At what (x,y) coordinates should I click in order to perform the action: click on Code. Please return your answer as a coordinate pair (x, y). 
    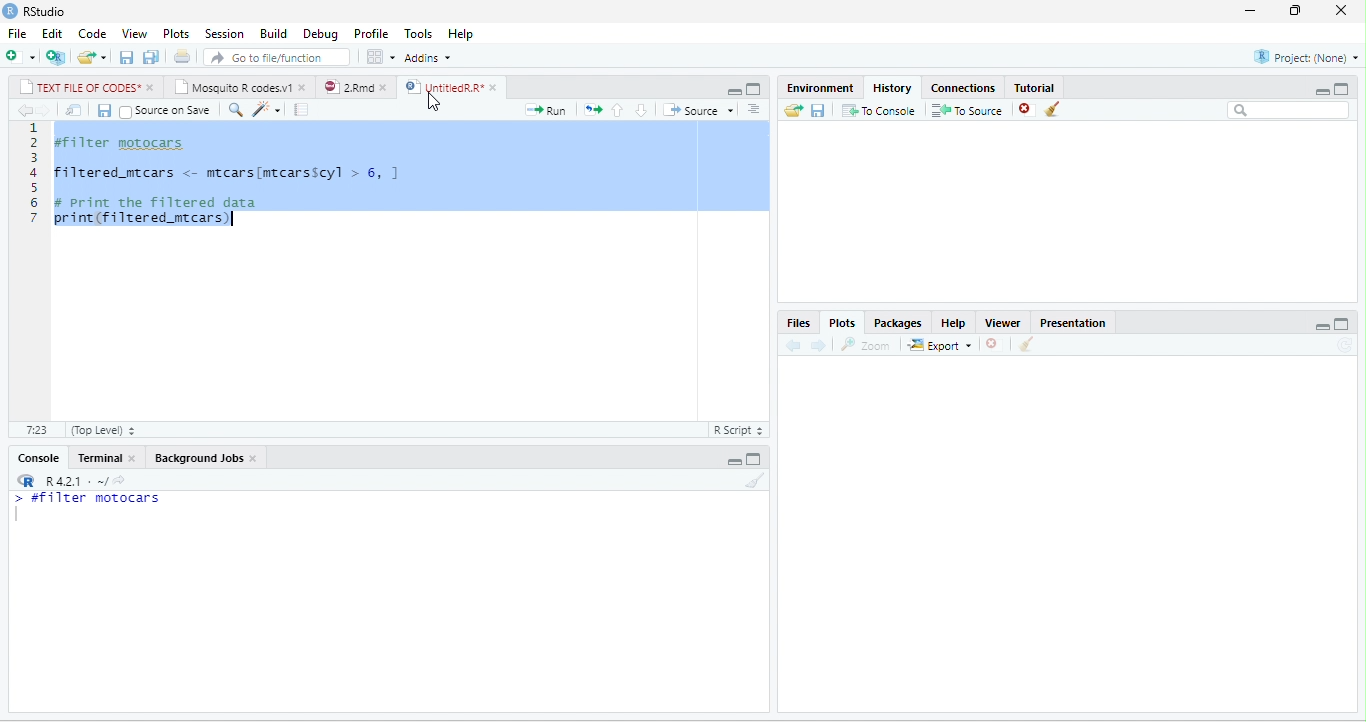
    Looking at the image, I should click on (93, 33).